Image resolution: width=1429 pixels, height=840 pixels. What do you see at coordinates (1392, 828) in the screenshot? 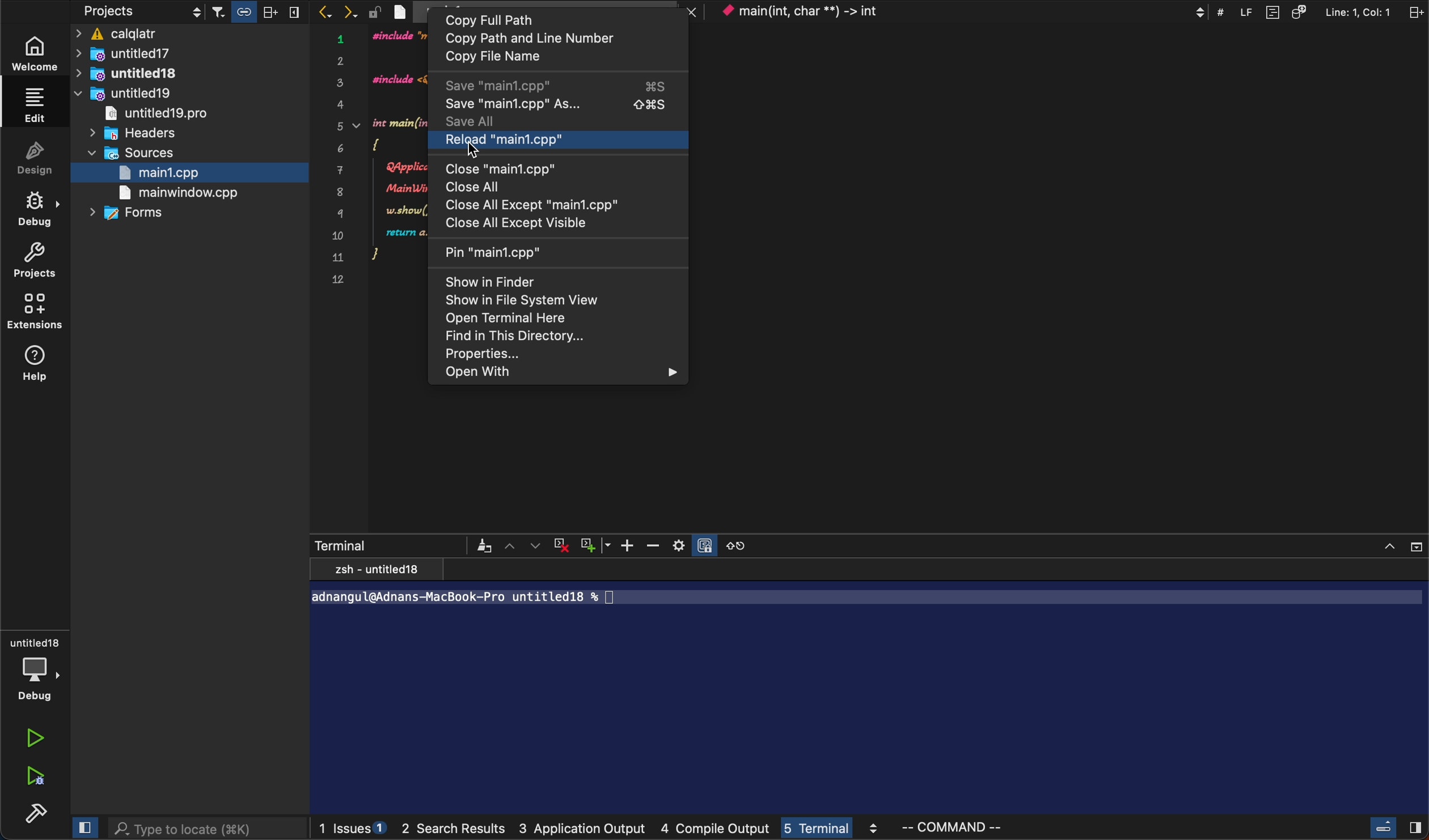
I see `close slide cursor` at bounding box center [1392, 828].